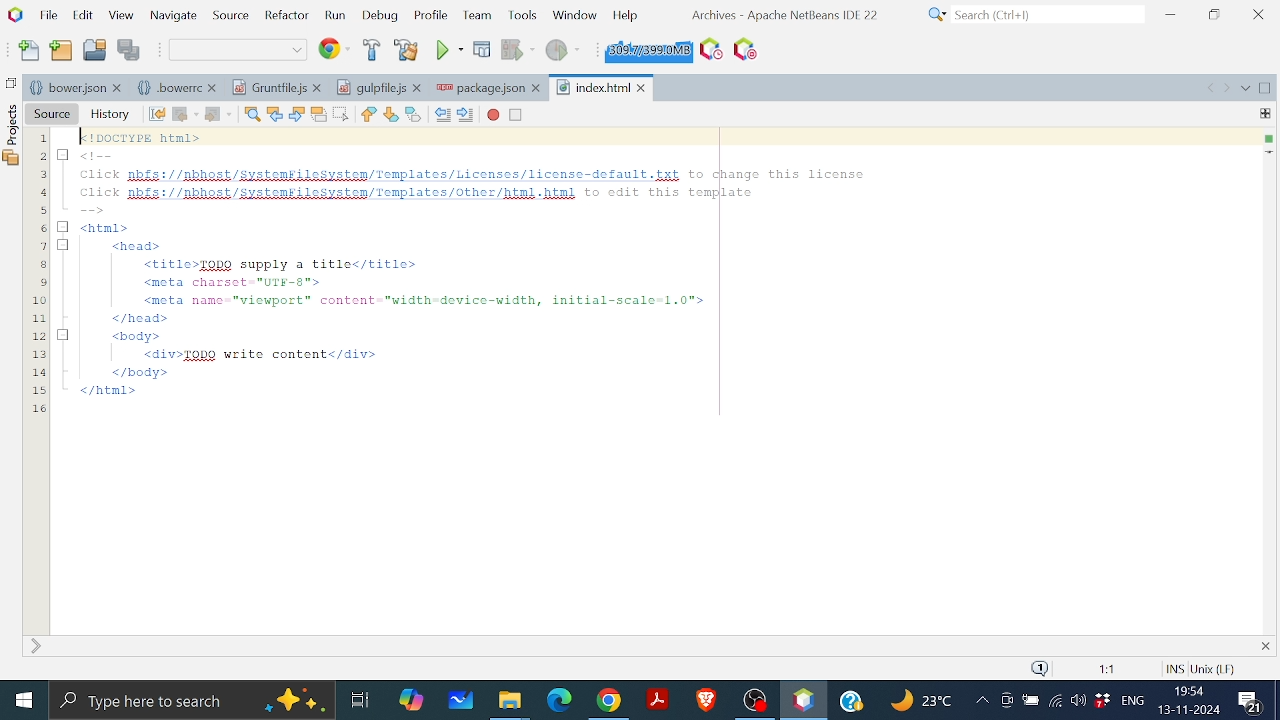  I want to click on Google chrome, so click(611, 700).